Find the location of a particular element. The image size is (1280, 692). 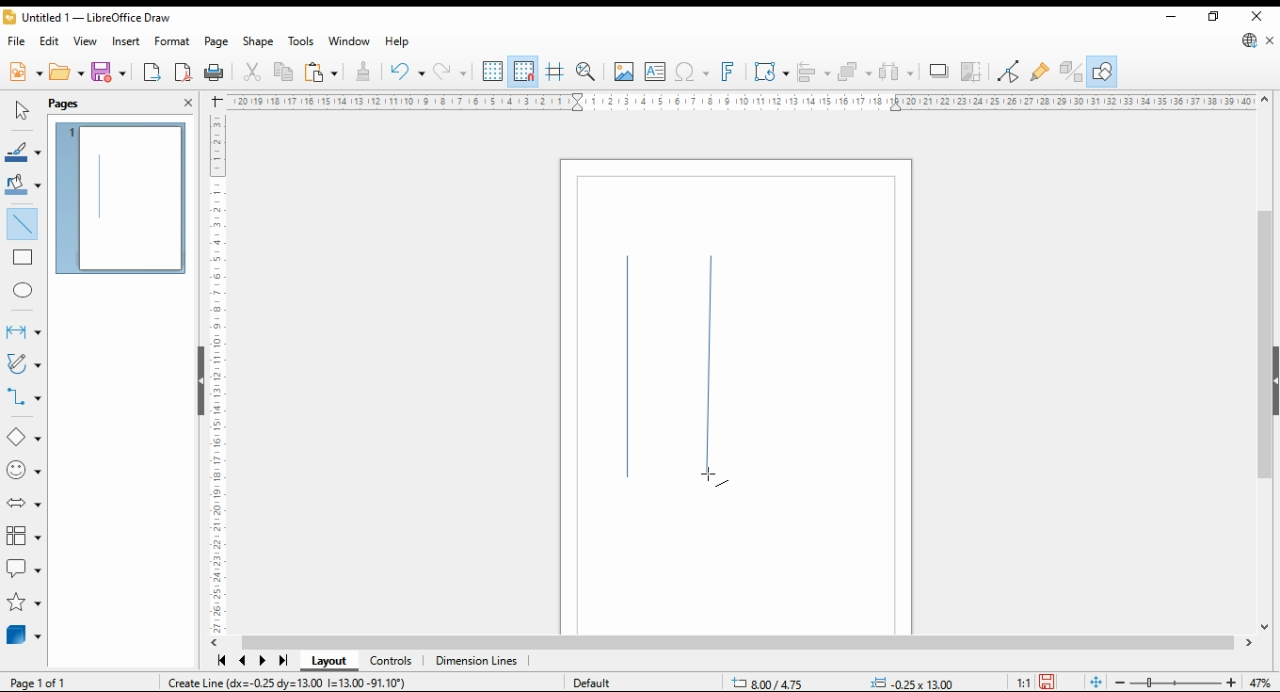

flowchart is located at coordinates (21, 536).